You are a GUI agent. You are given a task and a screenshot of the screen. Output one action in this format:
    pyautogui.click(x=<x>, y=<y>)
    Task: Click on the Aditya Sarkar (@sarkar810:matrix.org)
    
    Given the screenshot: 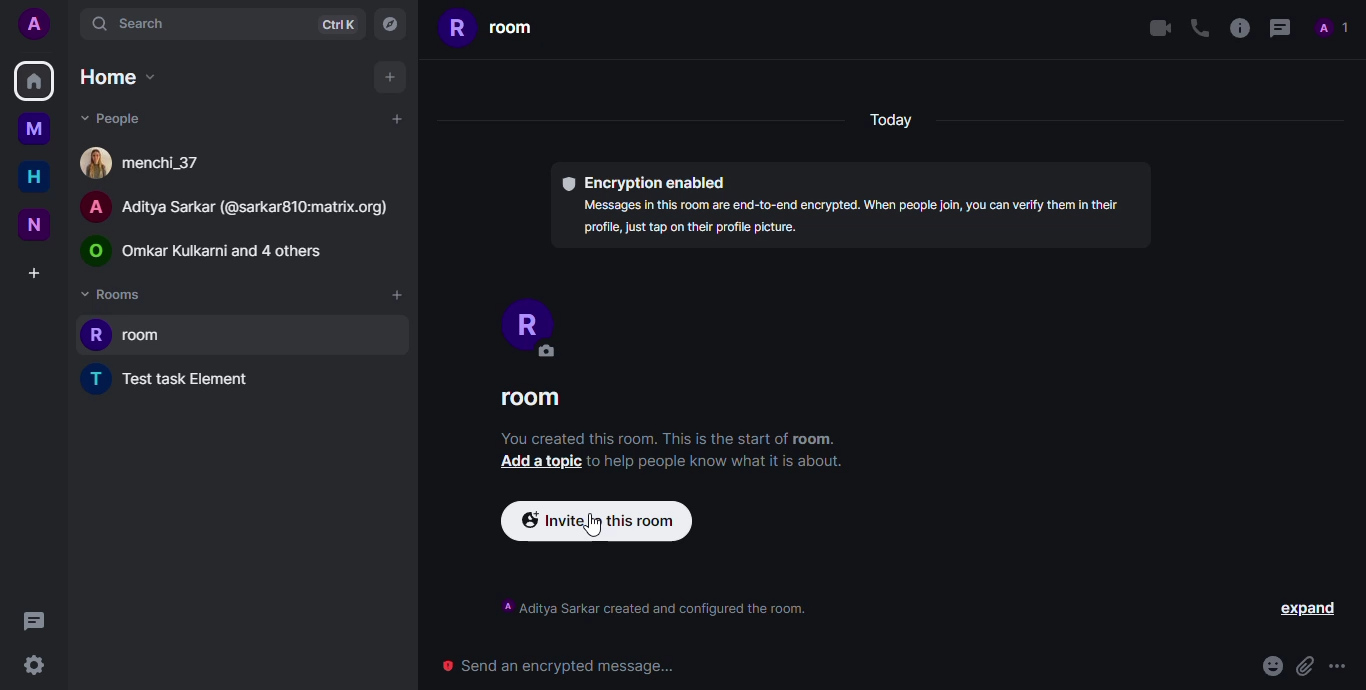 What is the action you would take?
    pyautogui.click(x=245, y=204)
    